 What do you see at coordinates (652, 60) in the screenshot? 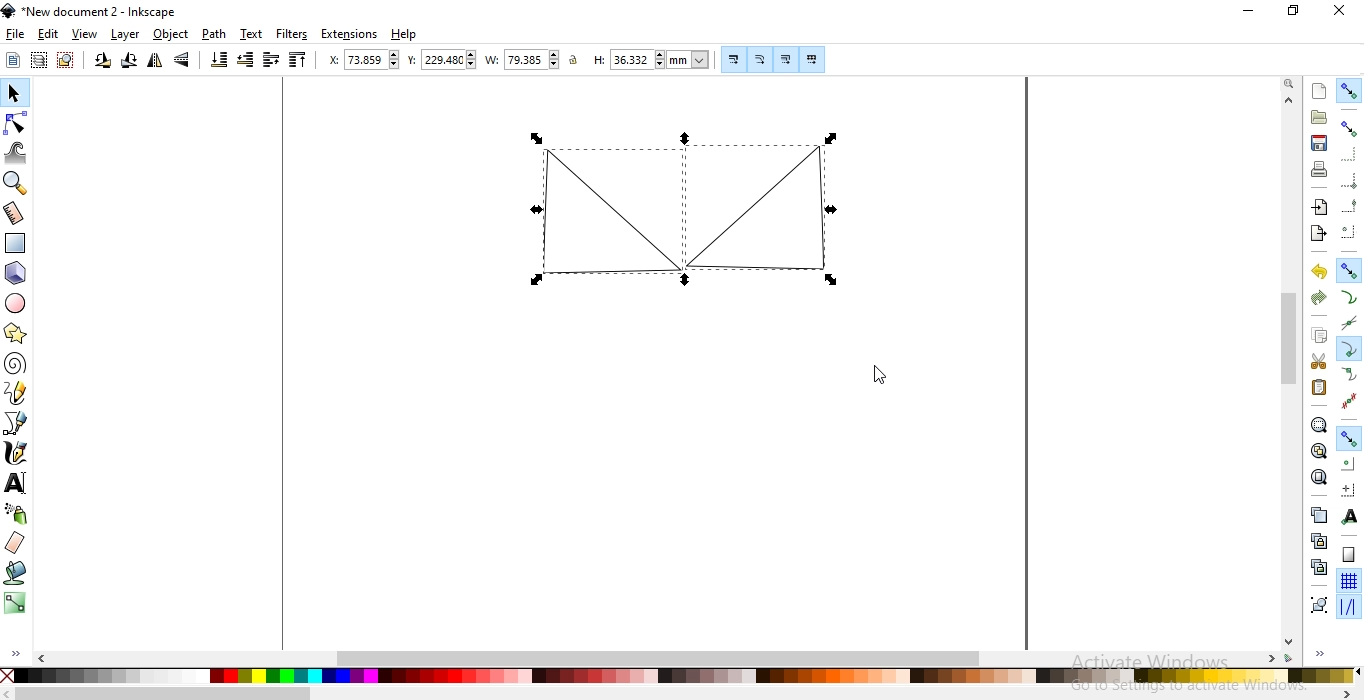
I see `height of selection` at bounding box center [652, 60].